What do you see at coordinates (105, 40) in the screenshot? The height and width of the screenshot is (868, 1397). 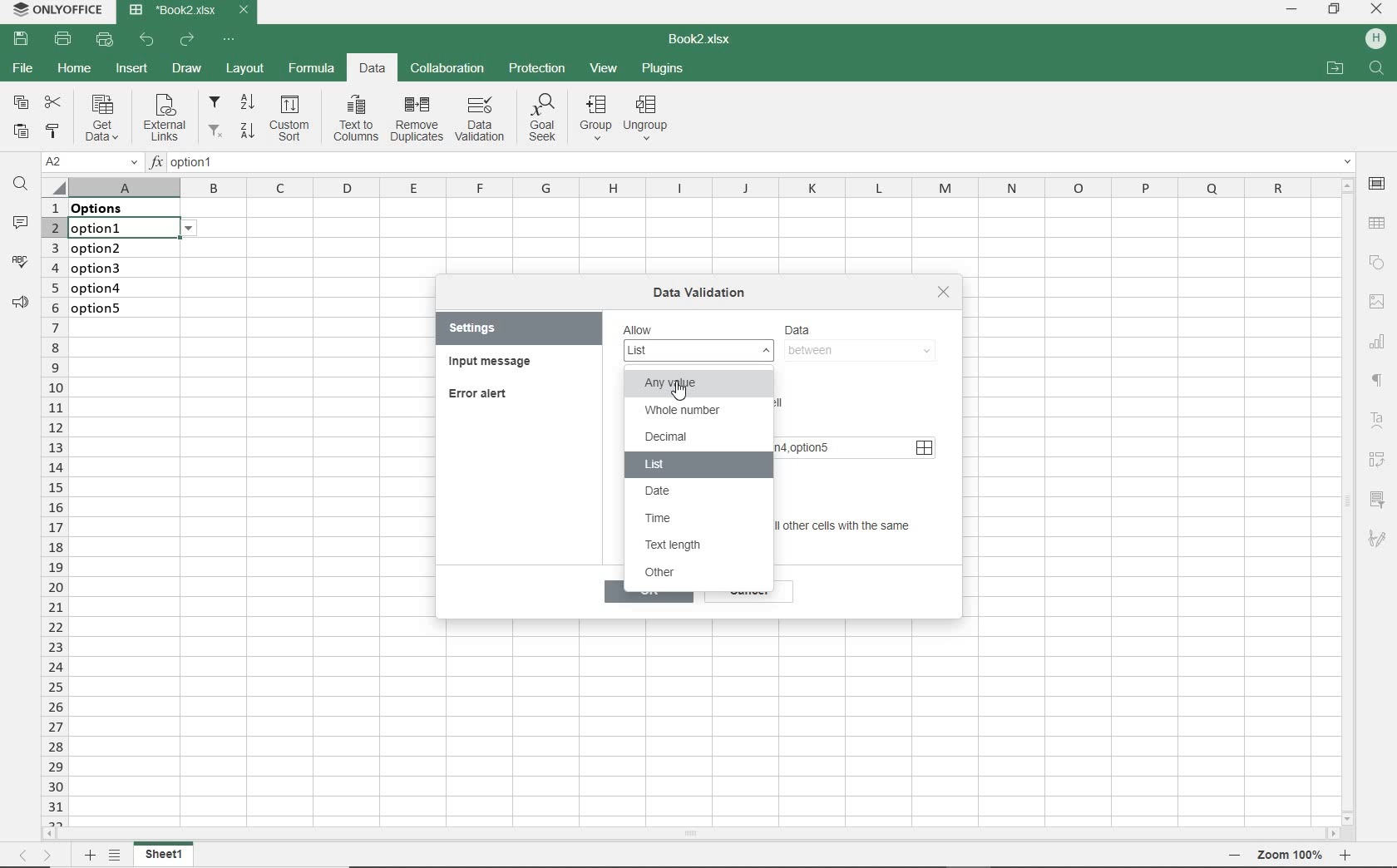 I see `QUICK PRINT` at bounding box center [105, 40].